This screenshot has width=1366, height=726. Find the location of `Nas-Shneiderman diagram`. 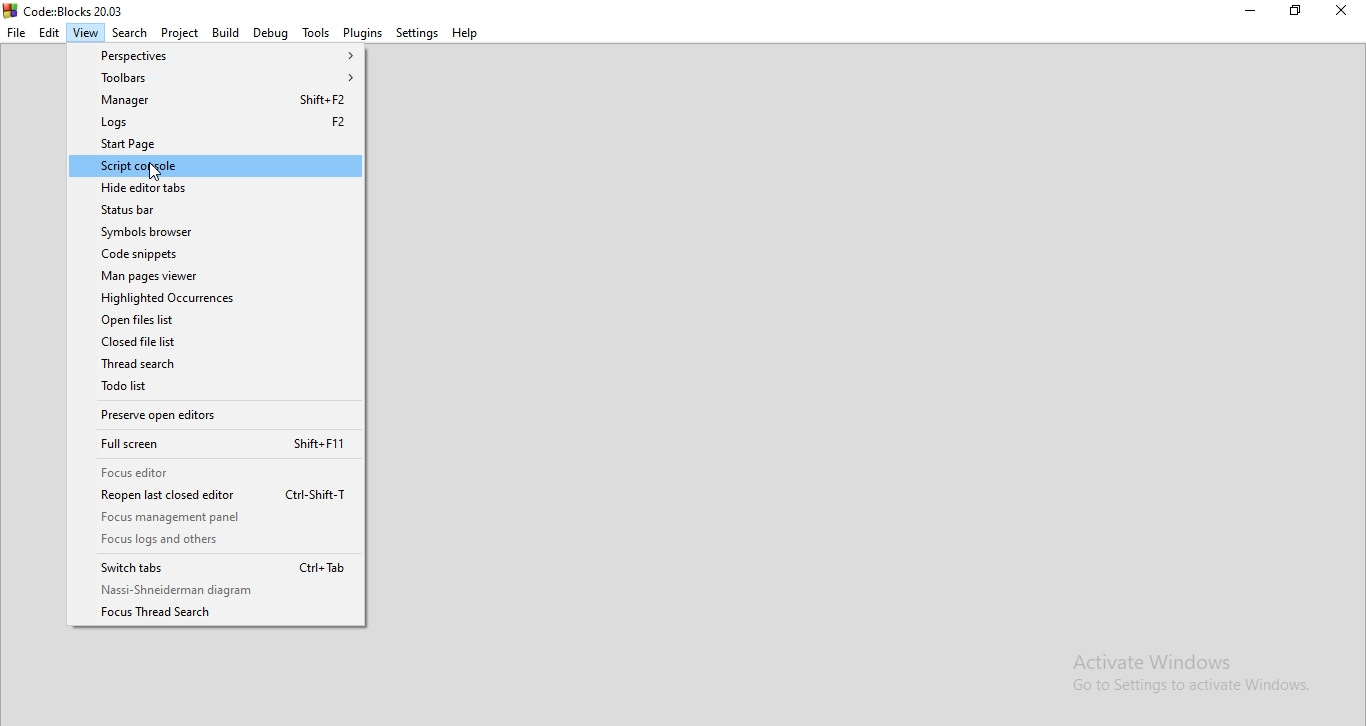

Nas-Shneiderman diagram is located at coordinates (216, 590).